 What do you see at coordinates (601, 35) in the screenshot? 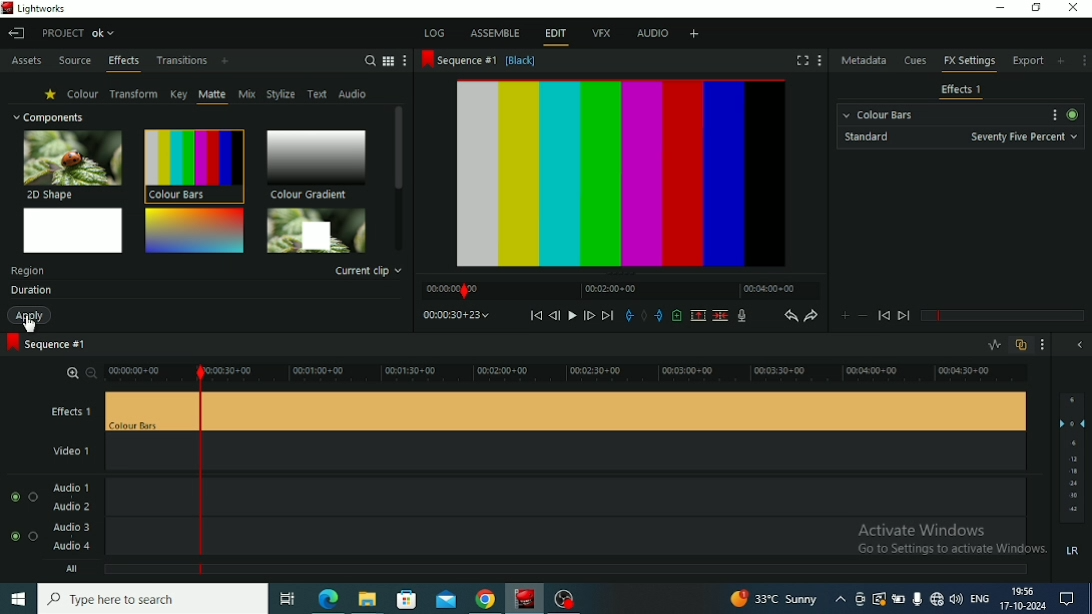
I see `VFX` at bounding box center [601, 35].